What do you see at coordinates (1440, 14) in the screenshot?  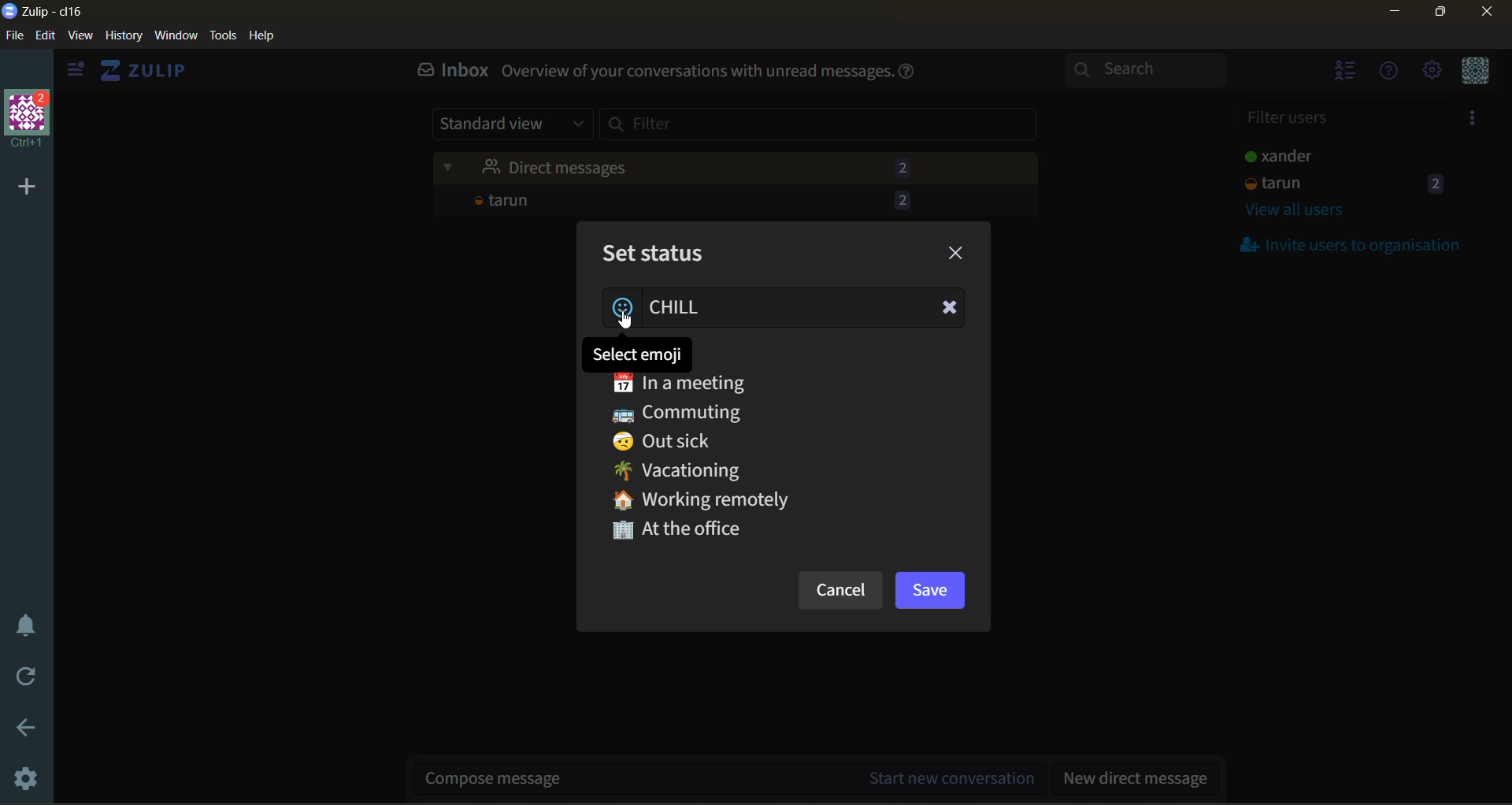 I see `maximize` at bounding box center [1440, 14].